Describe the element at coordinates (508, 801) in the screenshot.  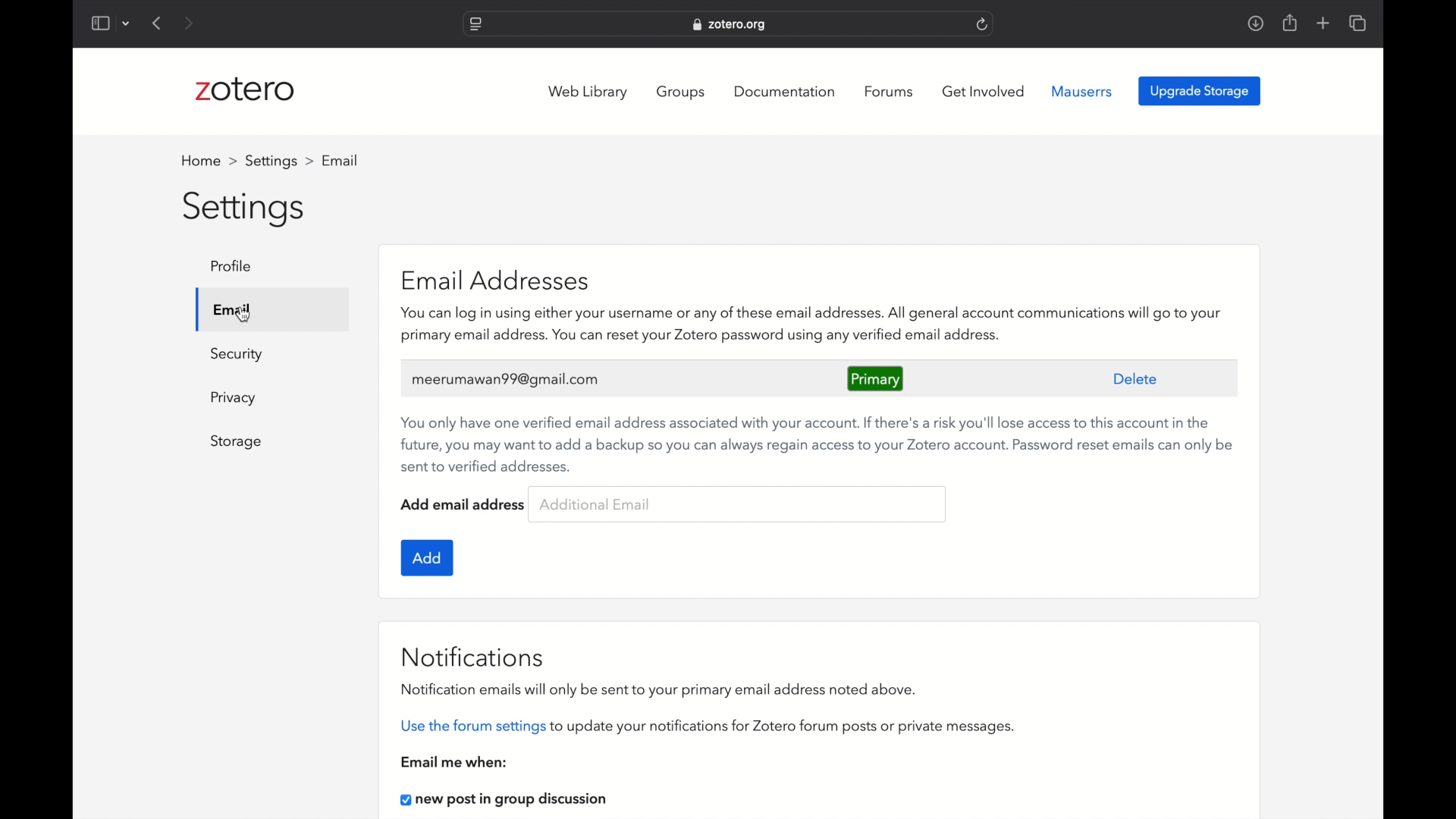
I see `new post in group discussion` at that location.